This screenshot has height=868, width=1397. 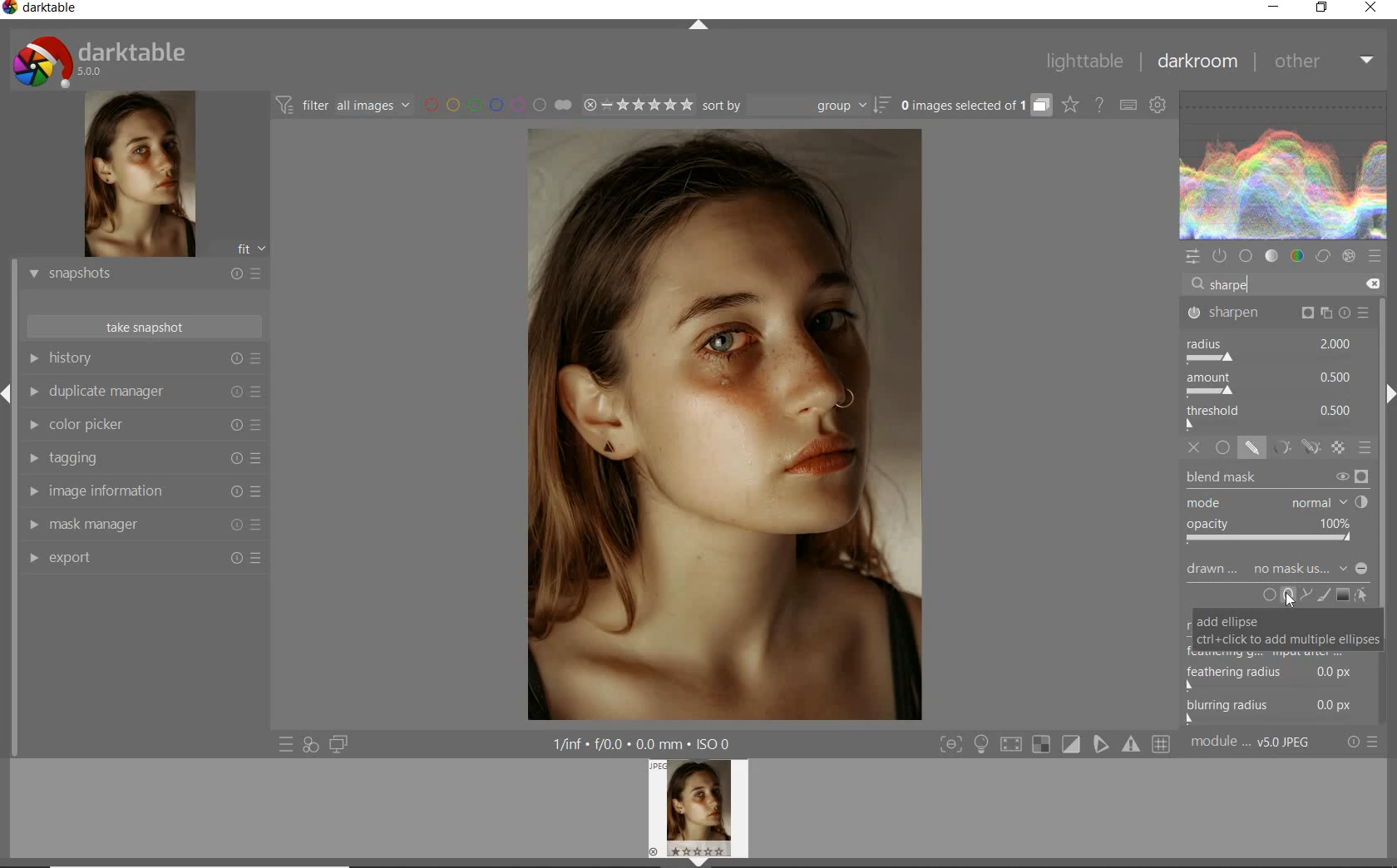 I want to click on waveform, so click(x=1284, y=165).